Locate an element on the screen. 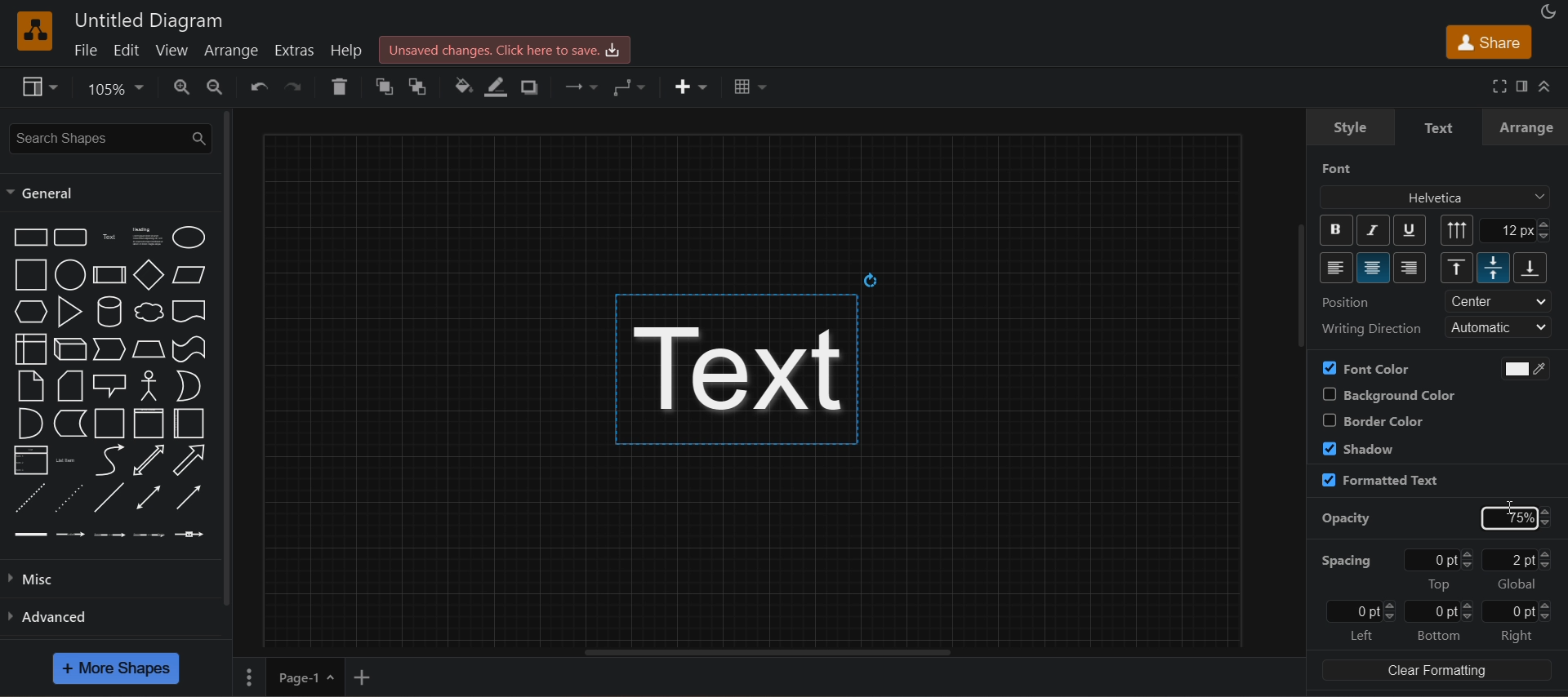 This screenshot has width=1568, height=697. bold is located at coordinates (1337, 230).